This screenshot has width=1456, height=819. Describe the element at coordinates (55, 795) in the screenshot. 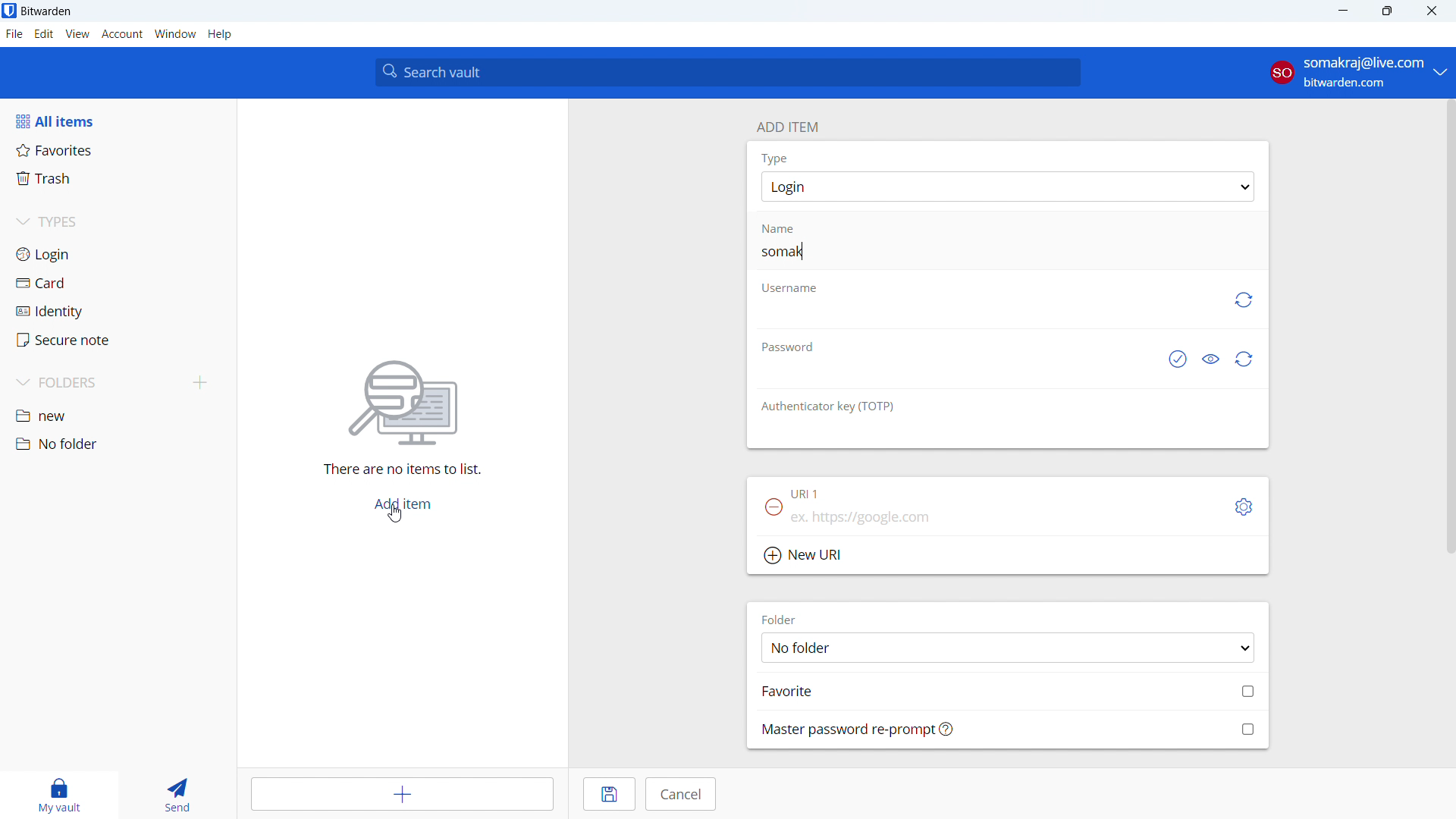

I see `my vault` at that location.